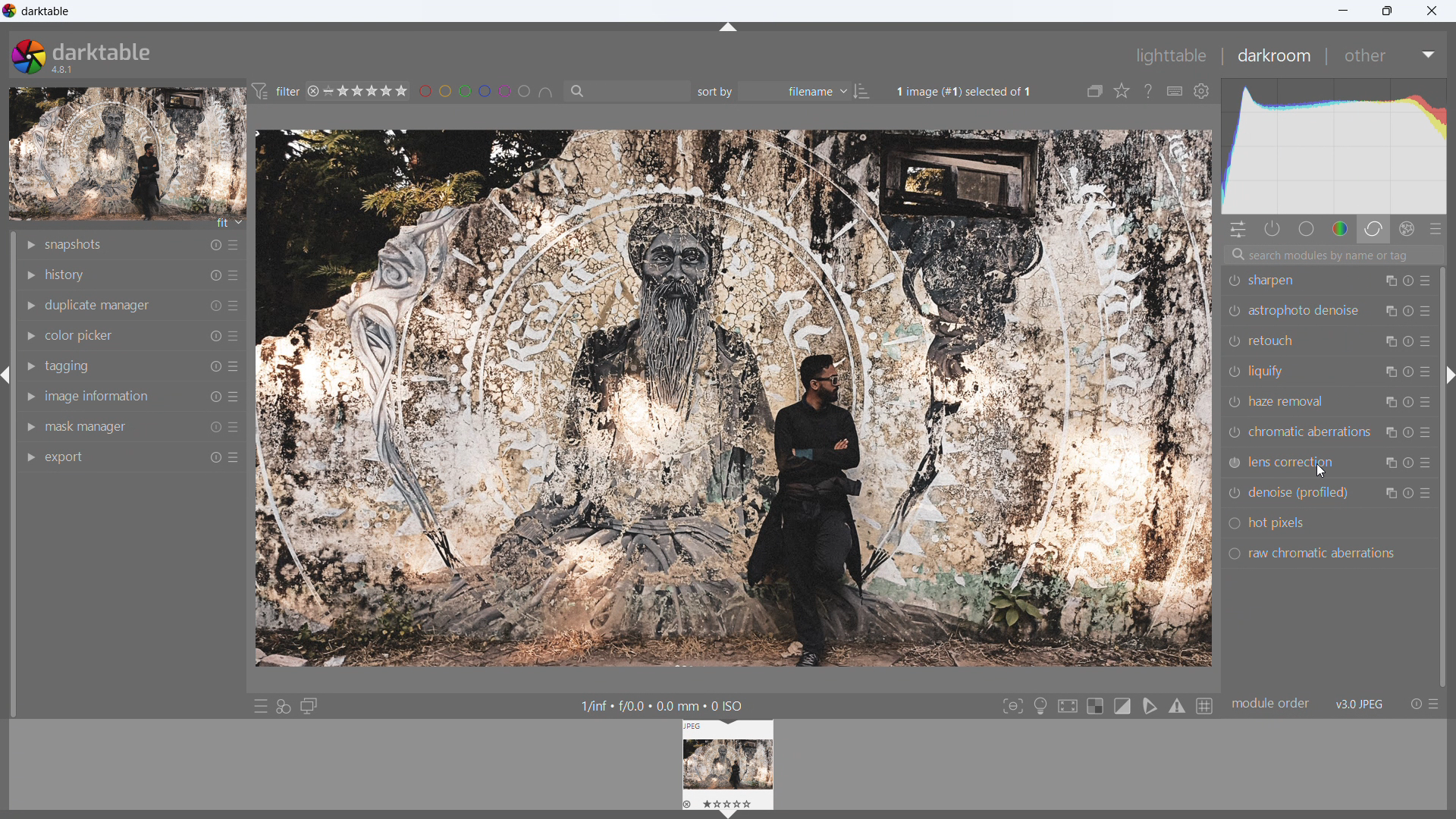 The image size is (1456, 819). What do you see at coordinates (66, 275) in the screenshot?
I see `history` at bounding box center [66, 275].